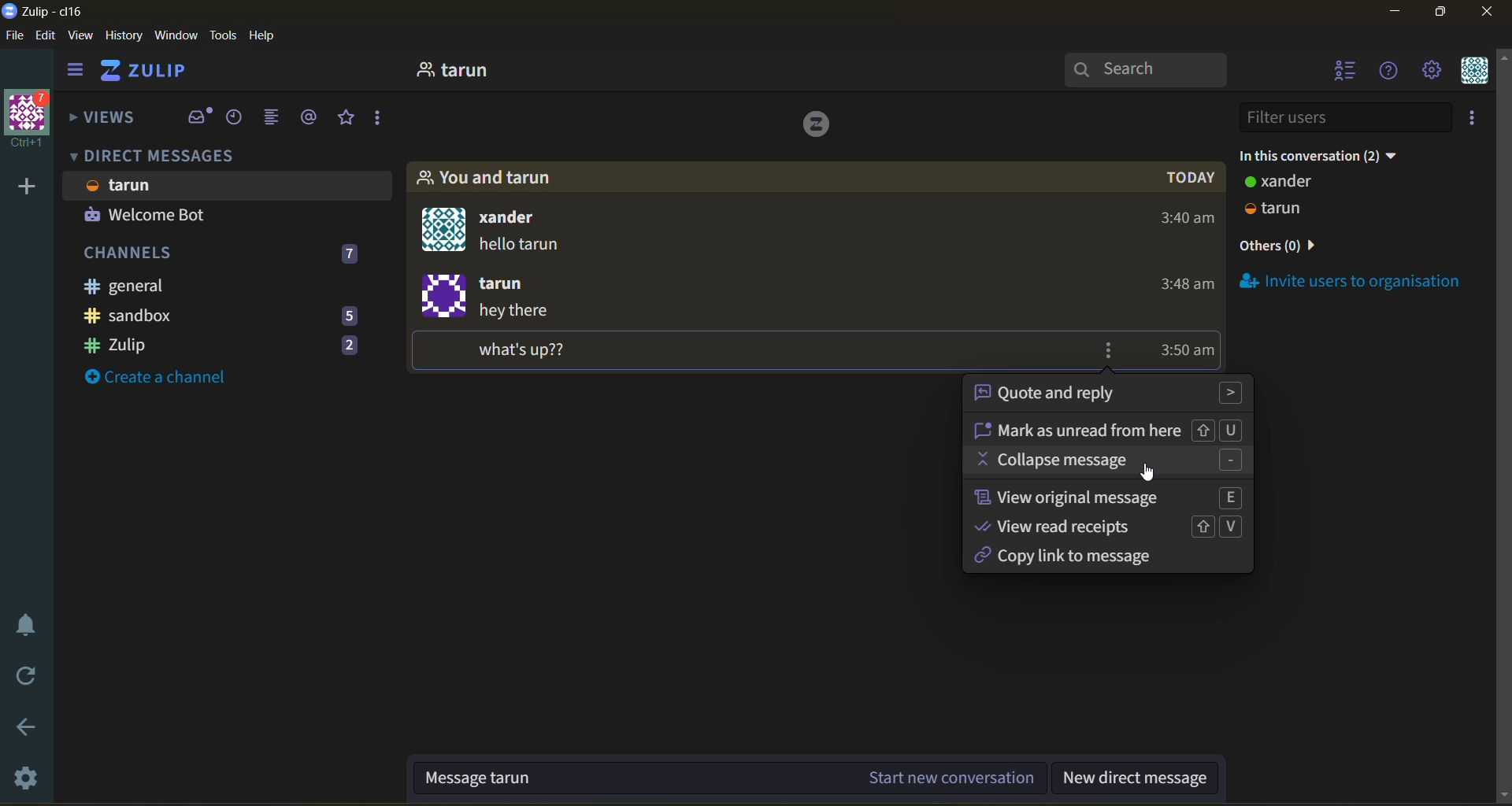 The width and height of the screenshot is (1512, 806). What do you see at coordinates (272, 116) in the screenshot?
I see `combined feed` at bounding box center [272, 116].